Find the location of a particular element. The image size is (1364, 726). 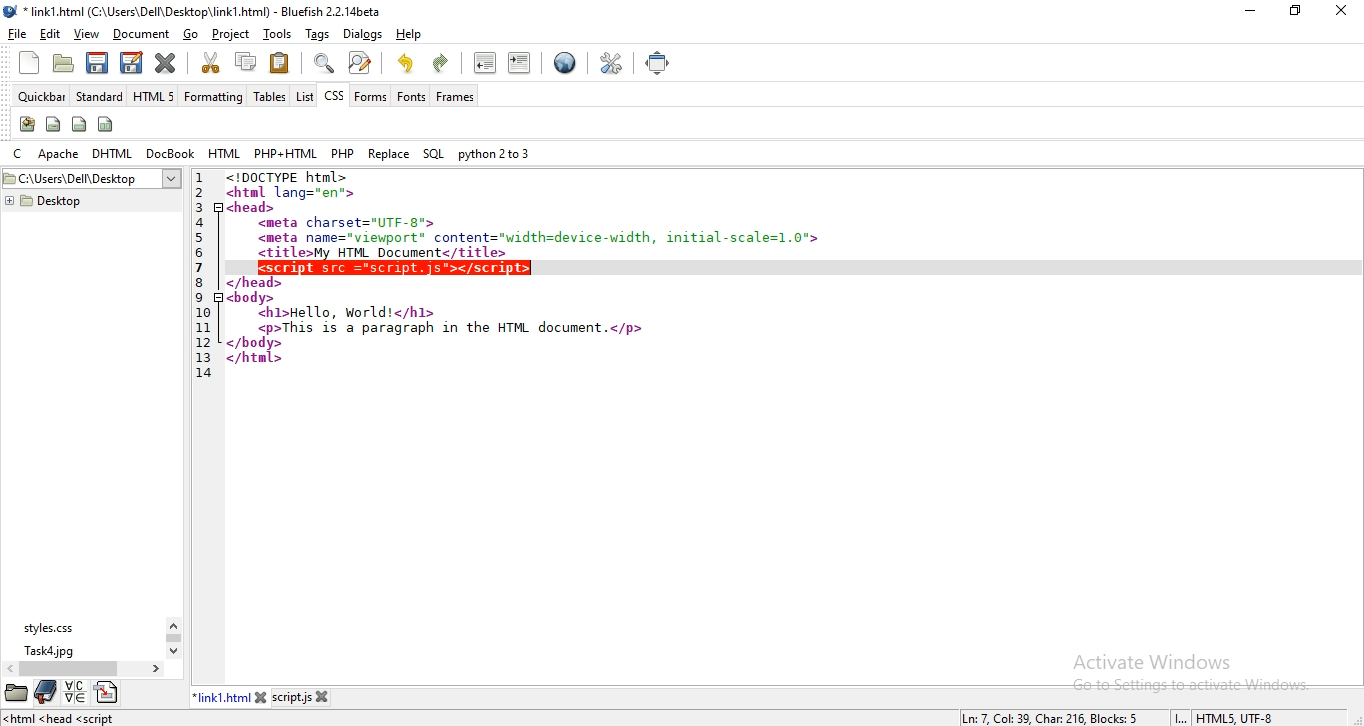

8 is located at coordinates (199, 283).